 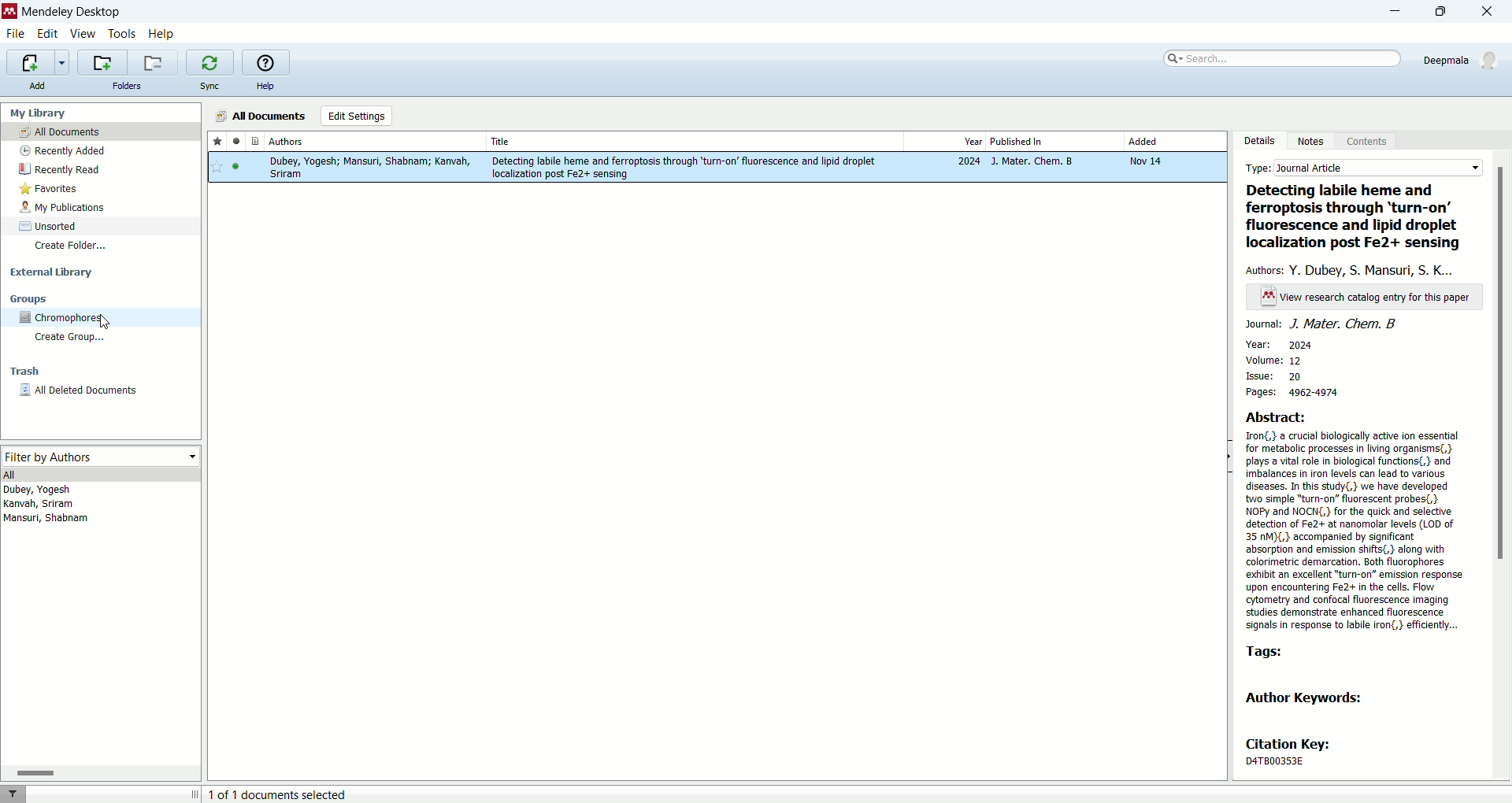 I want to click on filter, so click(x=14, y=794).